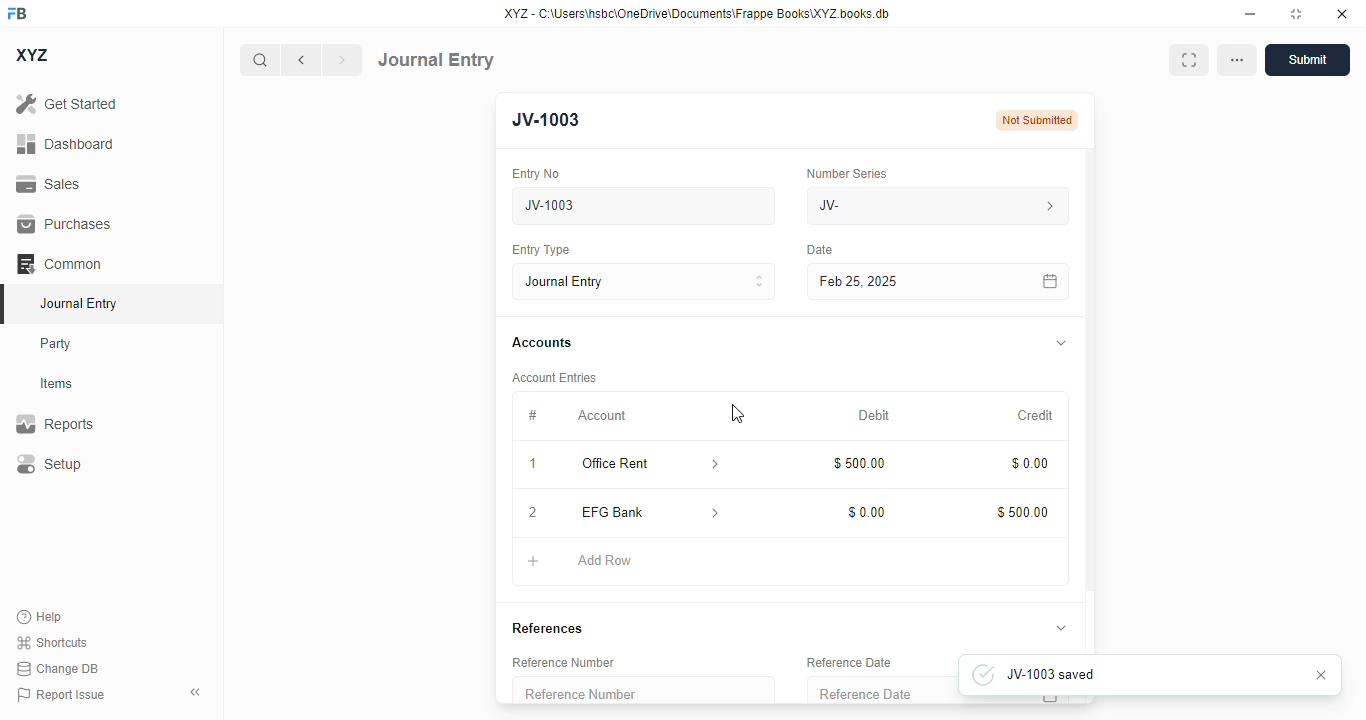  I want to click on accounts, so click(542, 343).